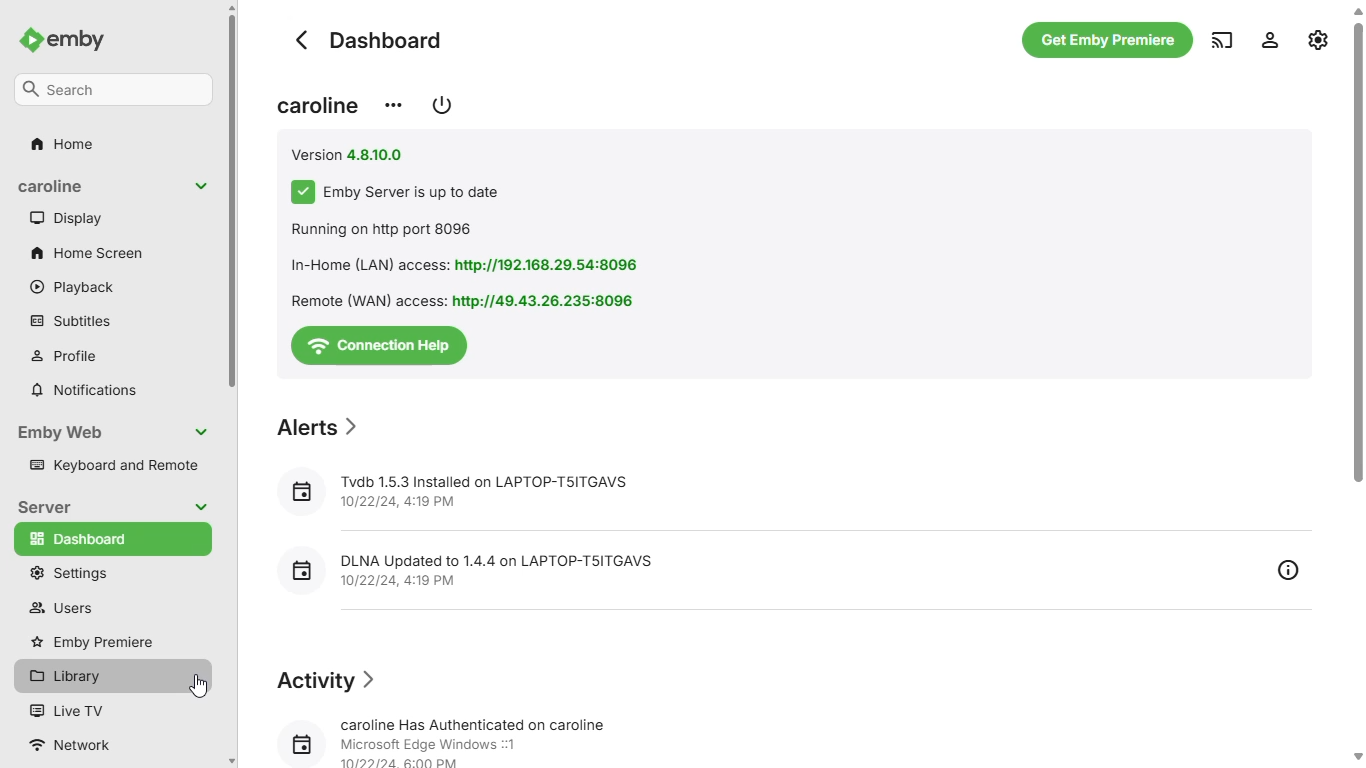  Describe the element at coordinates (493, 568) in the screenshot. I see `{5 DLNAUpdatedto 1.4.4 on LAPTOP-TSITCAVS
10/22/24, 4:19 PM` at that location.